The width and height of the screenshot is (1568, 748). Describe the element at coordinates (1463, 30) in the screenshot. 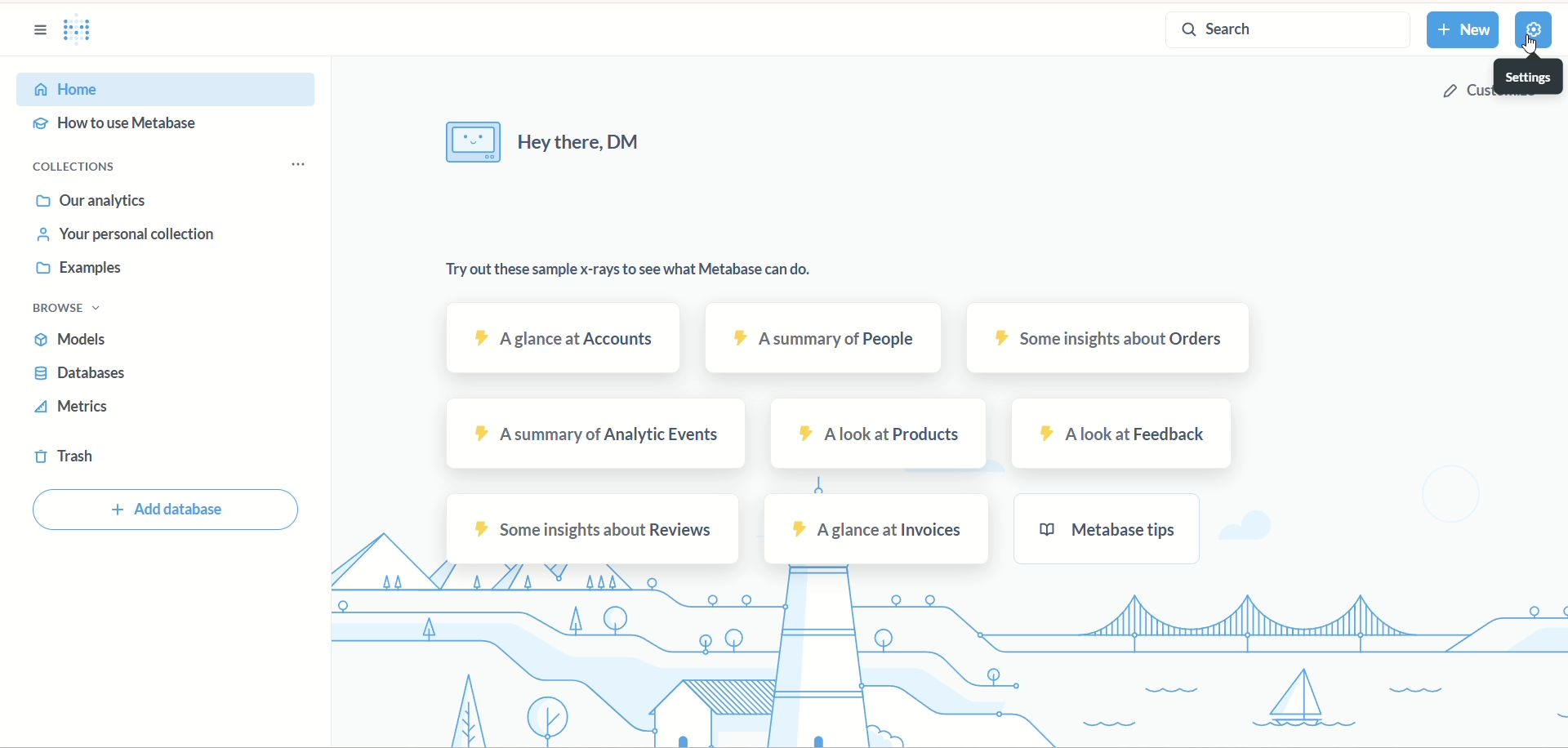

I see `new` at that location.